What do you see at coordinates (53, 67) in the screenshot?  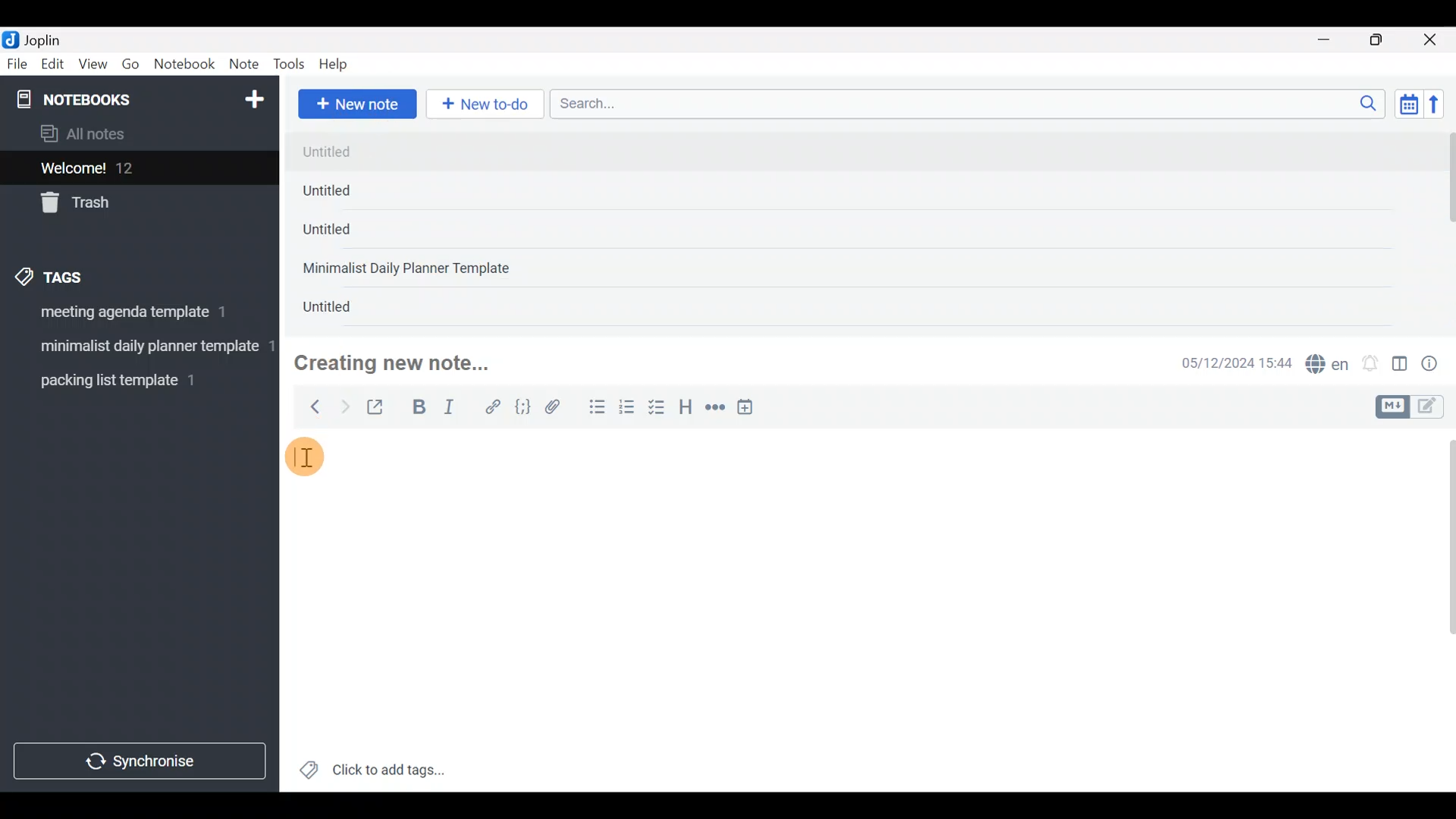 I see `Edit` at bounding box center [53, 67].